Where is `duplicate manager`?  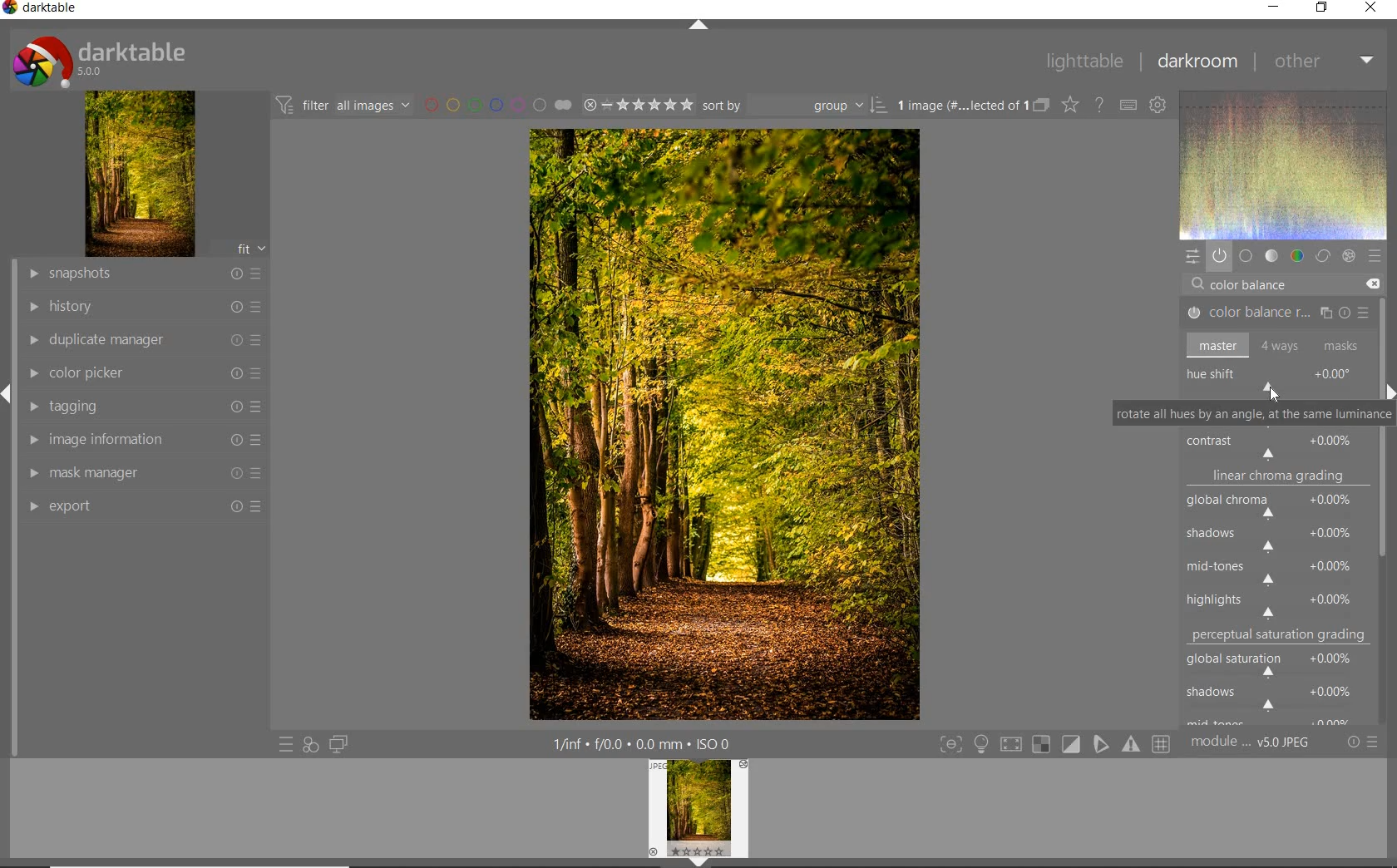
duplicate manager is located at coordinates (146, 340).